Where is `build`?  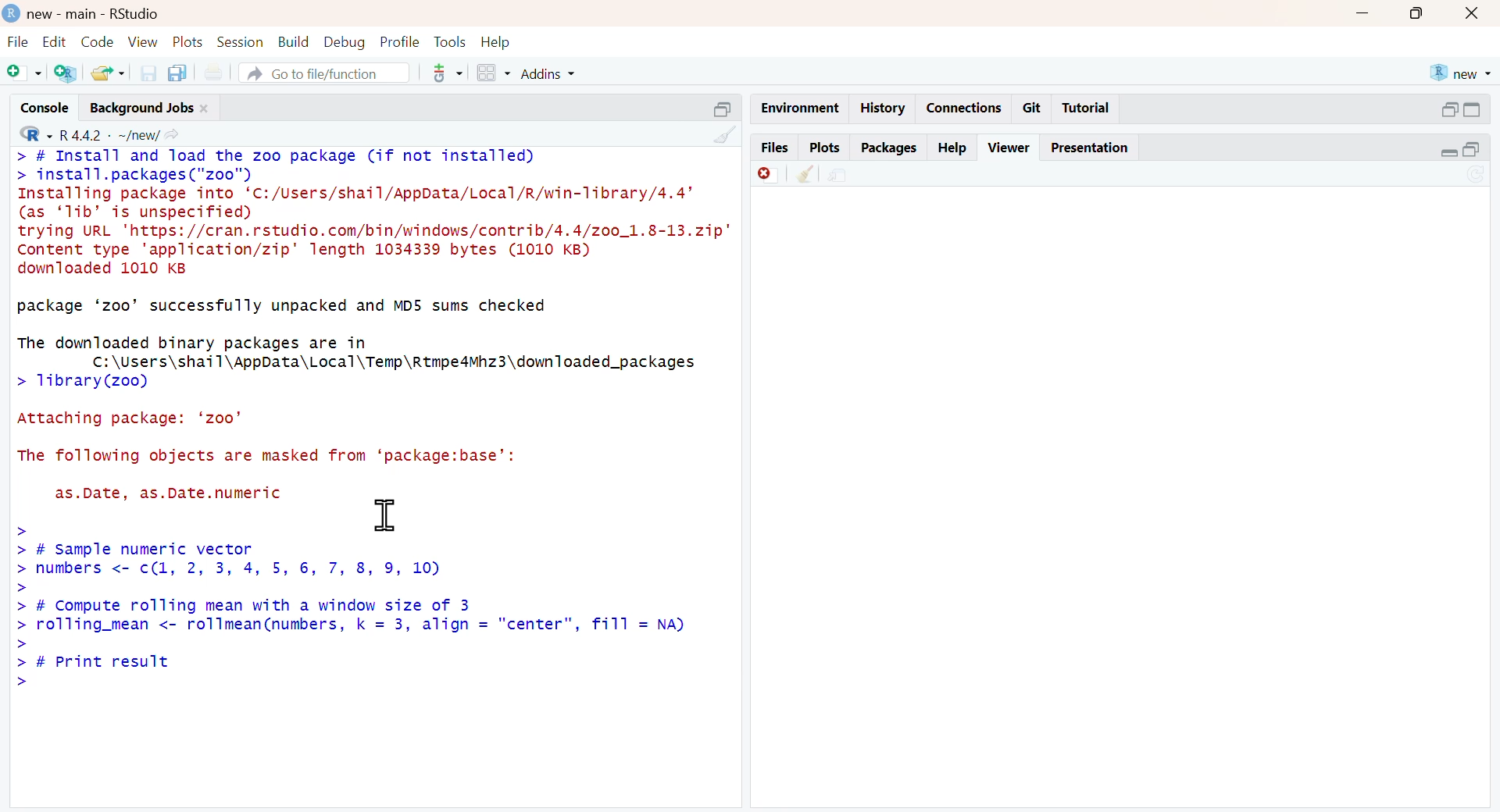
build is located at coordinates (295, 42).